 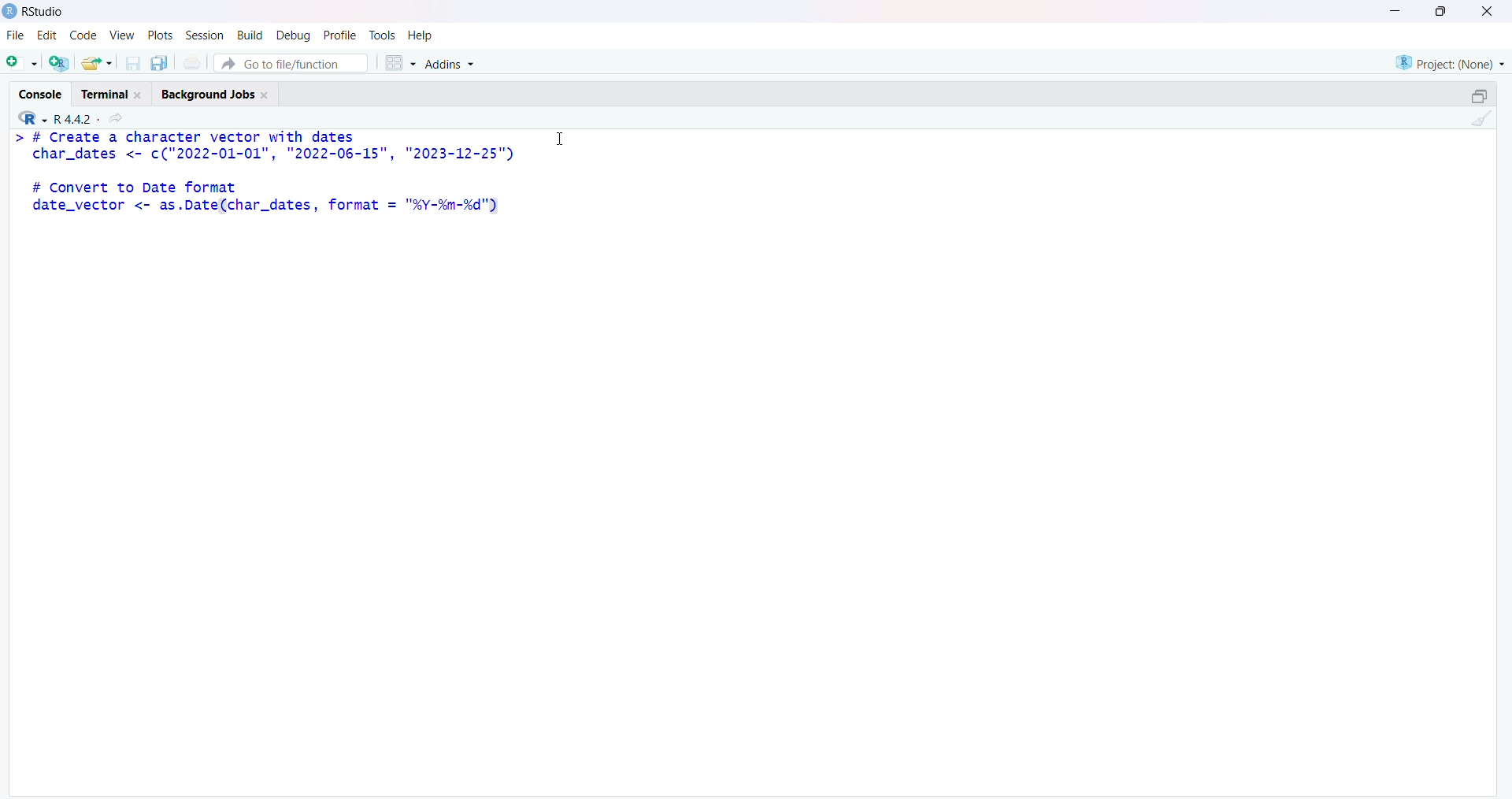 I want to click on View the current working directory, so click(x=120, y=117).